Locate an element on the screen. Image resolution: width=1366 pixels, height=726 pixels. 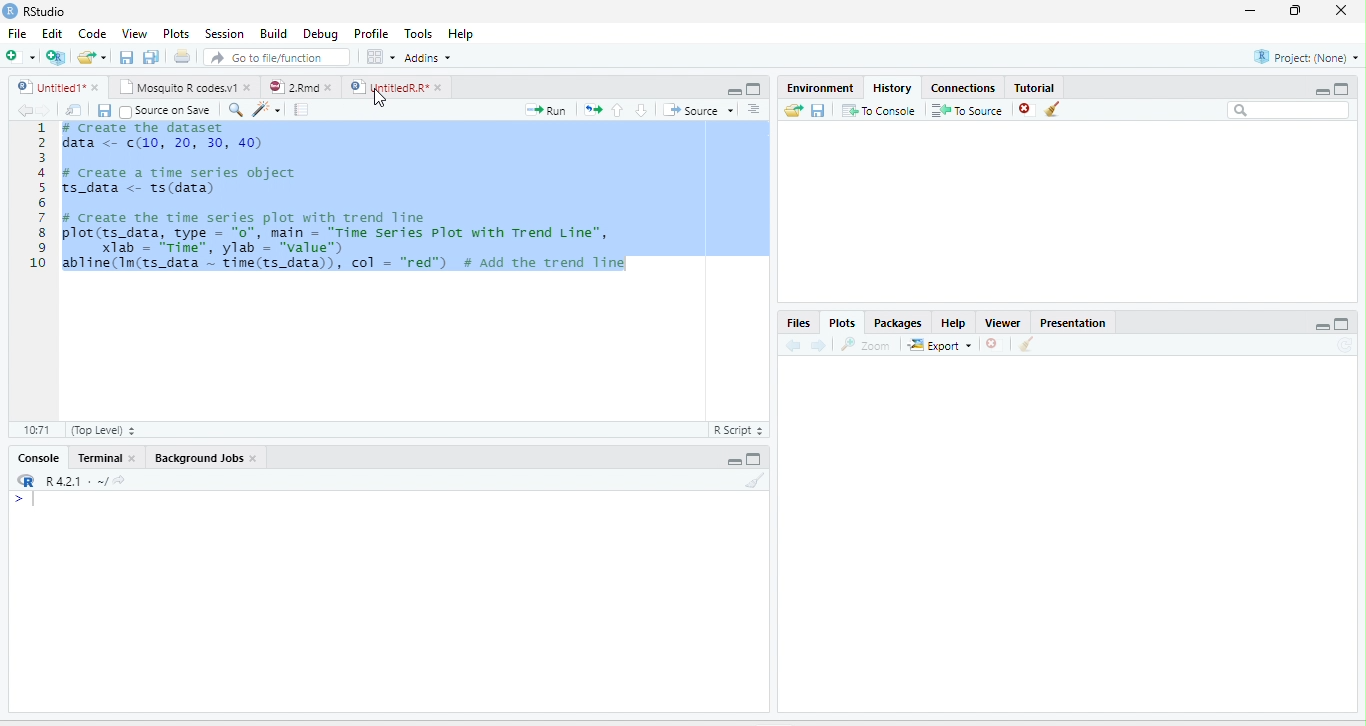
(Top Level) is located at coordinates (102, 430).